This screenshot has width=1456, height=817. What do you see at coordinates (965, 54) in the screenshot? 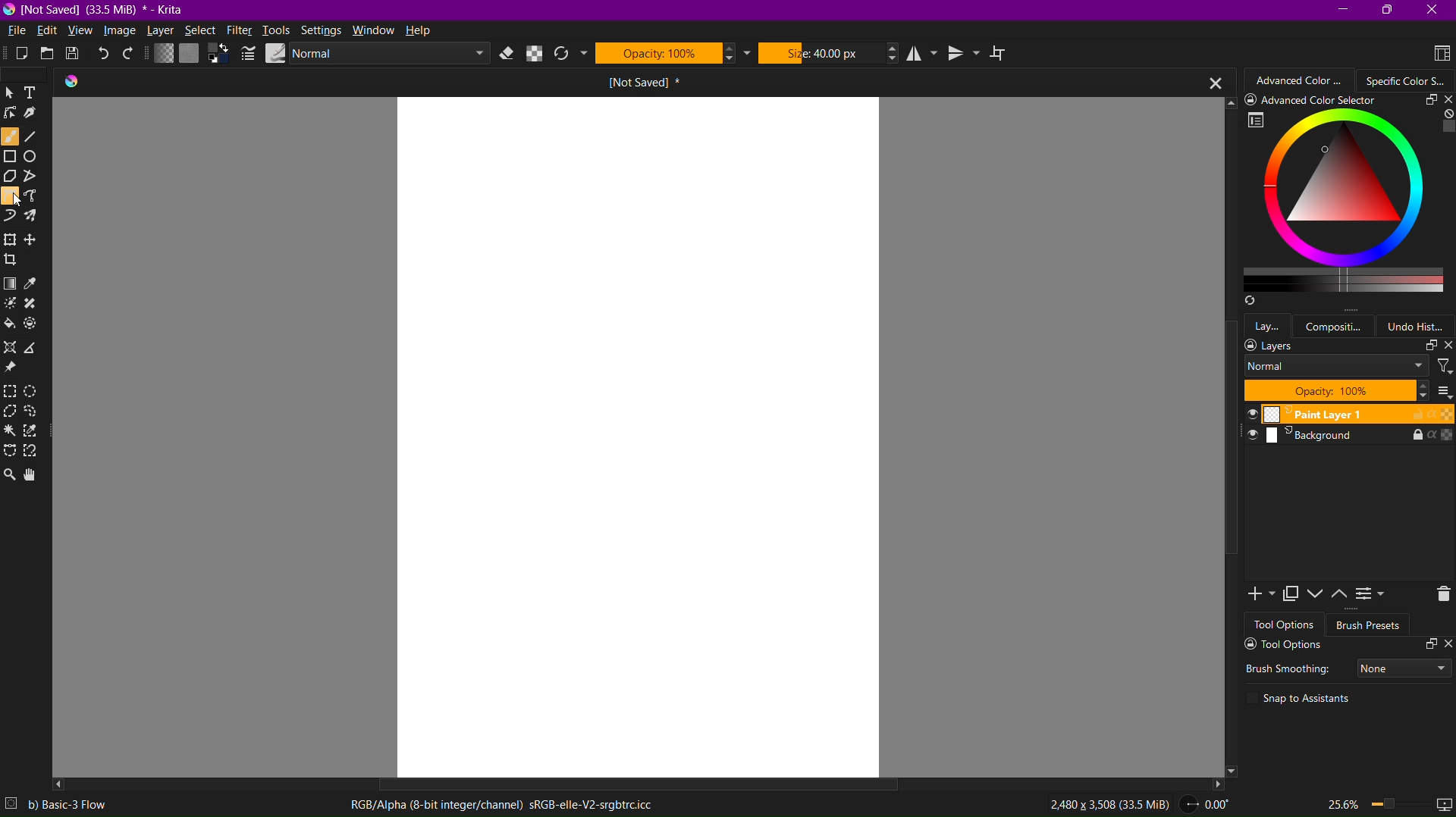
I see `Vertical Mirror Tool` at bounding box center [965, 54].